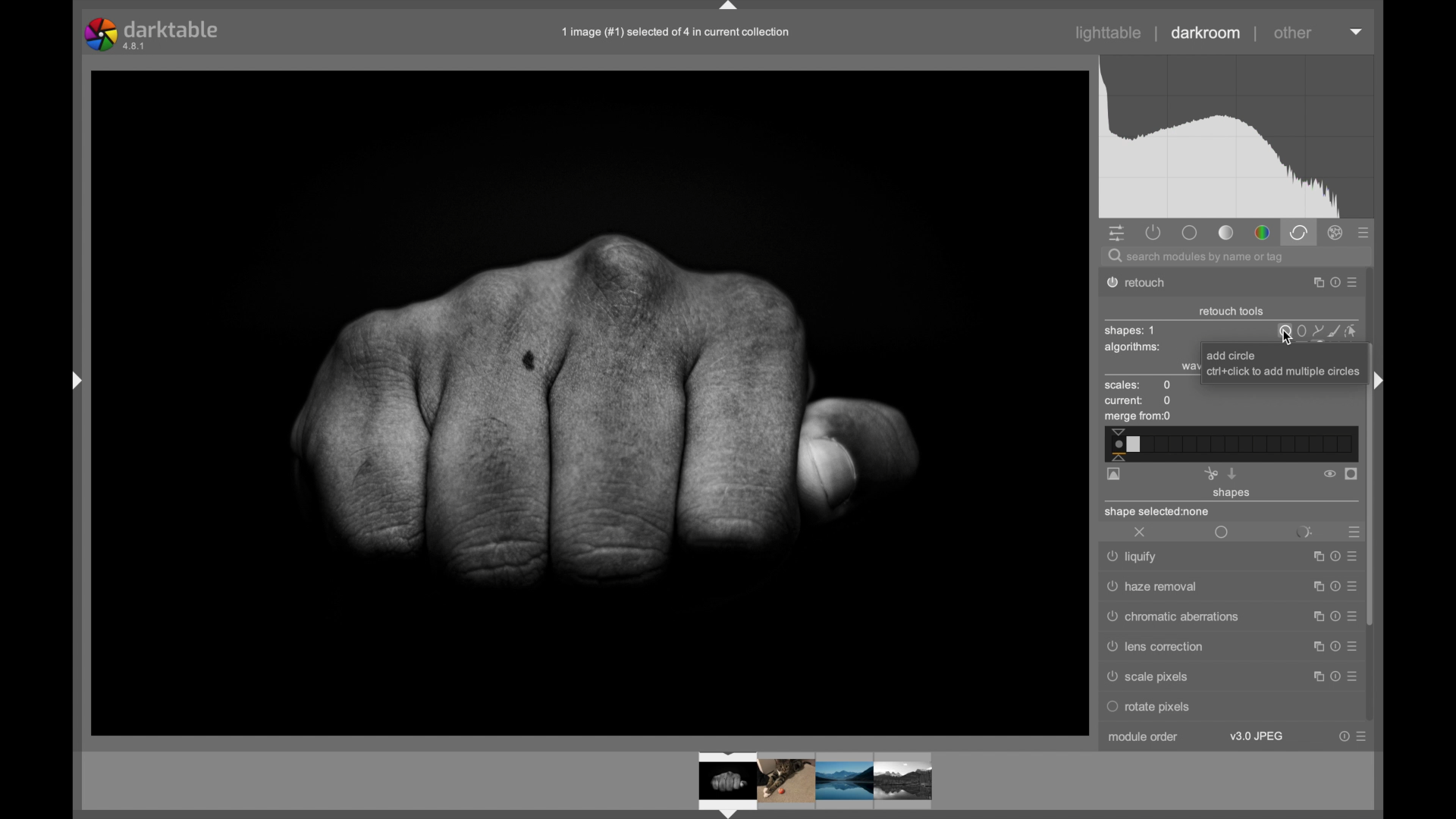 Image resolution: width=1456 pixels, height=819 pixels. What do you see at coordinates (1351, 617) in the screenshot?
I see `more options` at bounding box center [1351, 617].